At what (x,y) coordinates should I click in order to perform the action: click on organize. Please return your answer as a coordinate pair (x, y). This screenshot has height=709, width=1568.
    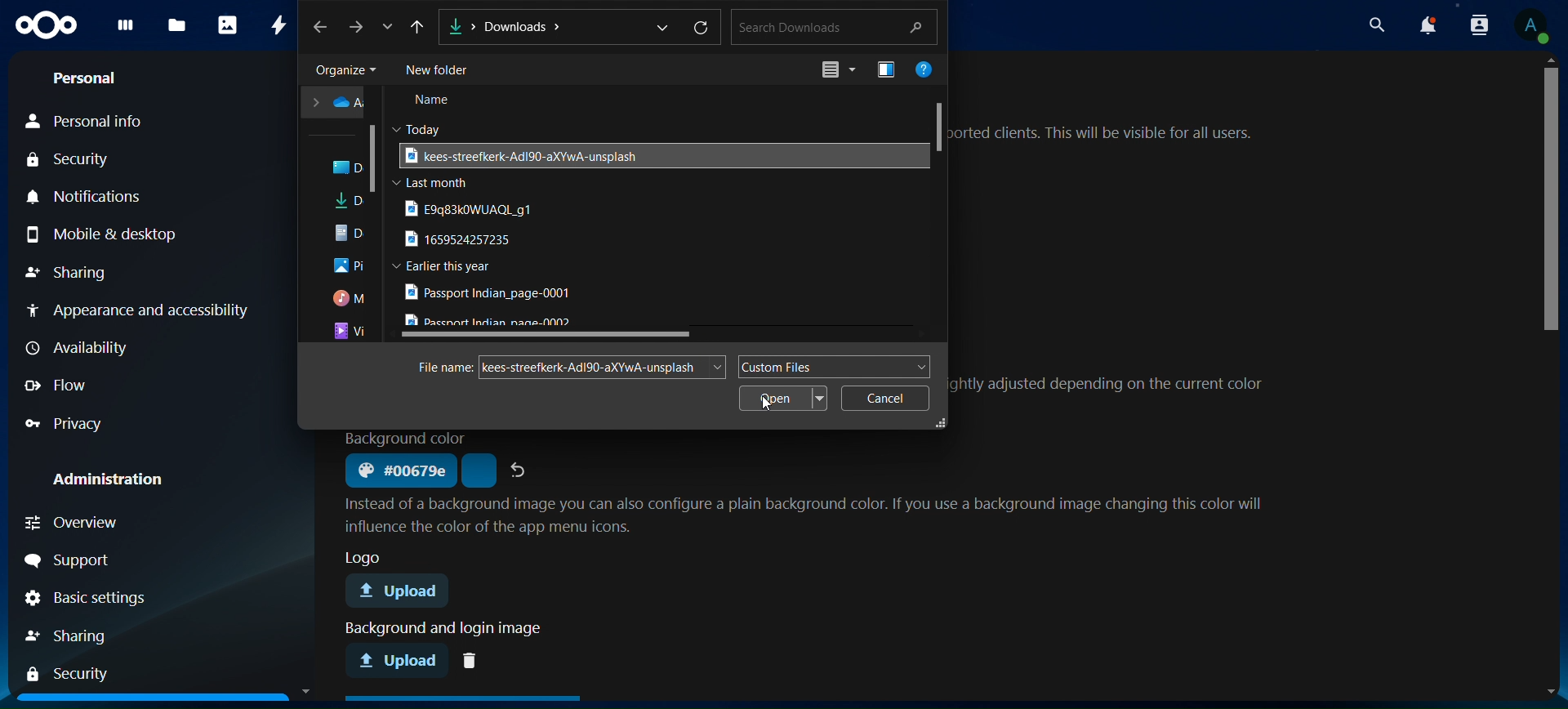
    Looking at the image, I should click on (344, 70).